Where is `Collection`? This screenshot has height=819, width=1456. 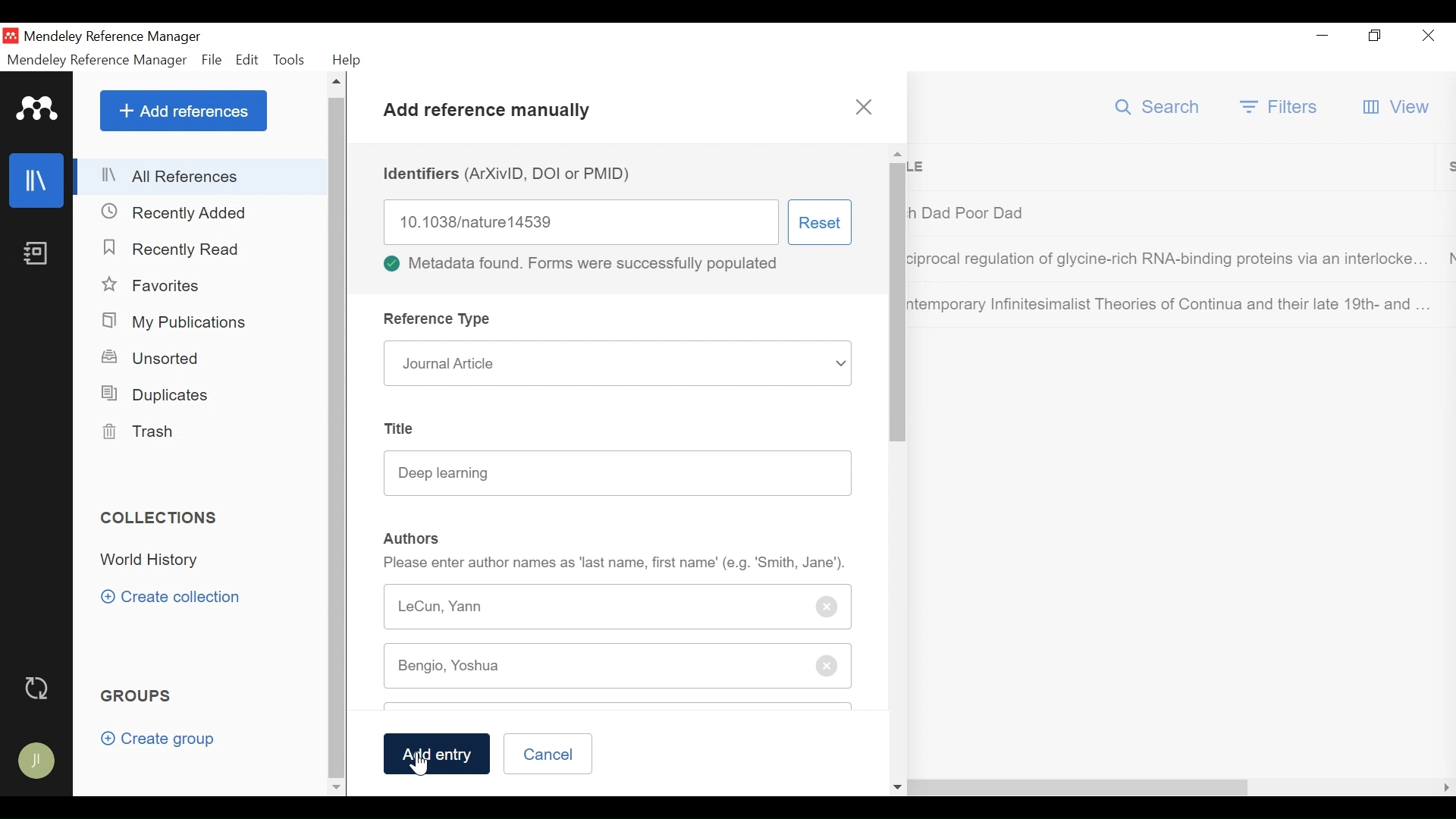
Collection is located at coordinates (208, 561).